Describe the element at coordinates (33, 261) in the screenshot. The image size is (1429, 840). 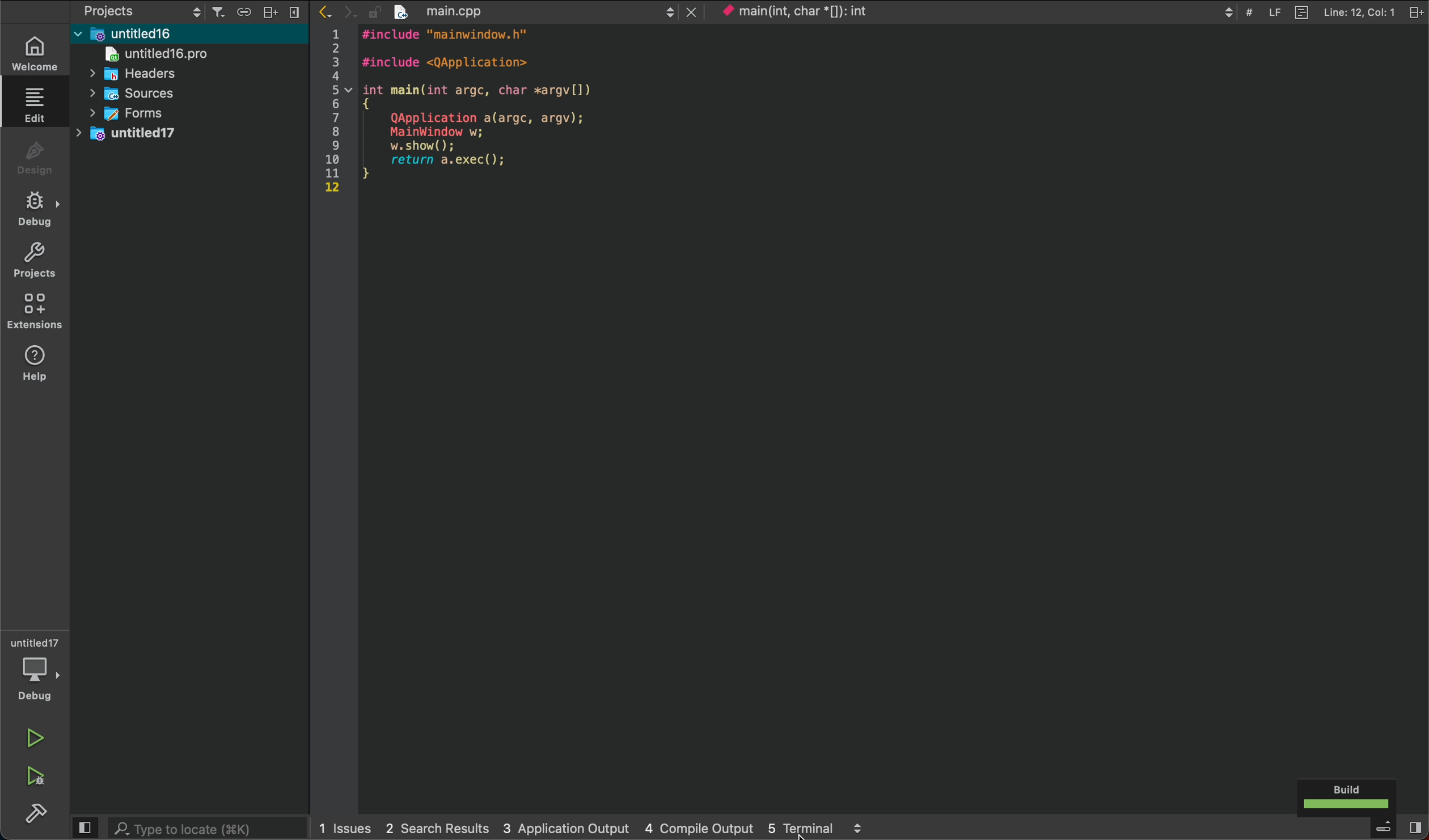
I see `projects` at that location.